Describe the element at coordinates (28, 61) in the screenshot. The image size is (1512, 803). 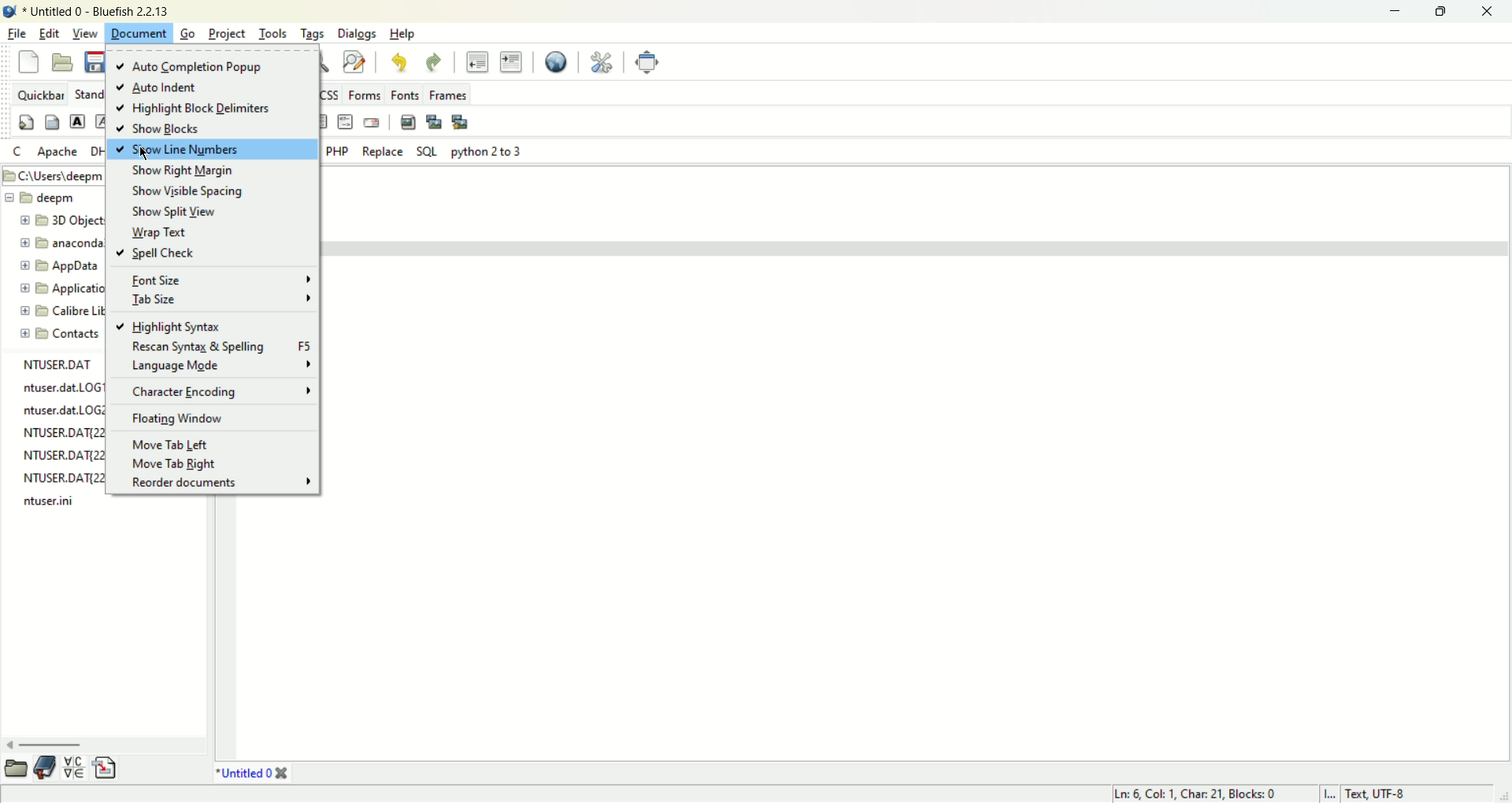
I see `new` at that location.